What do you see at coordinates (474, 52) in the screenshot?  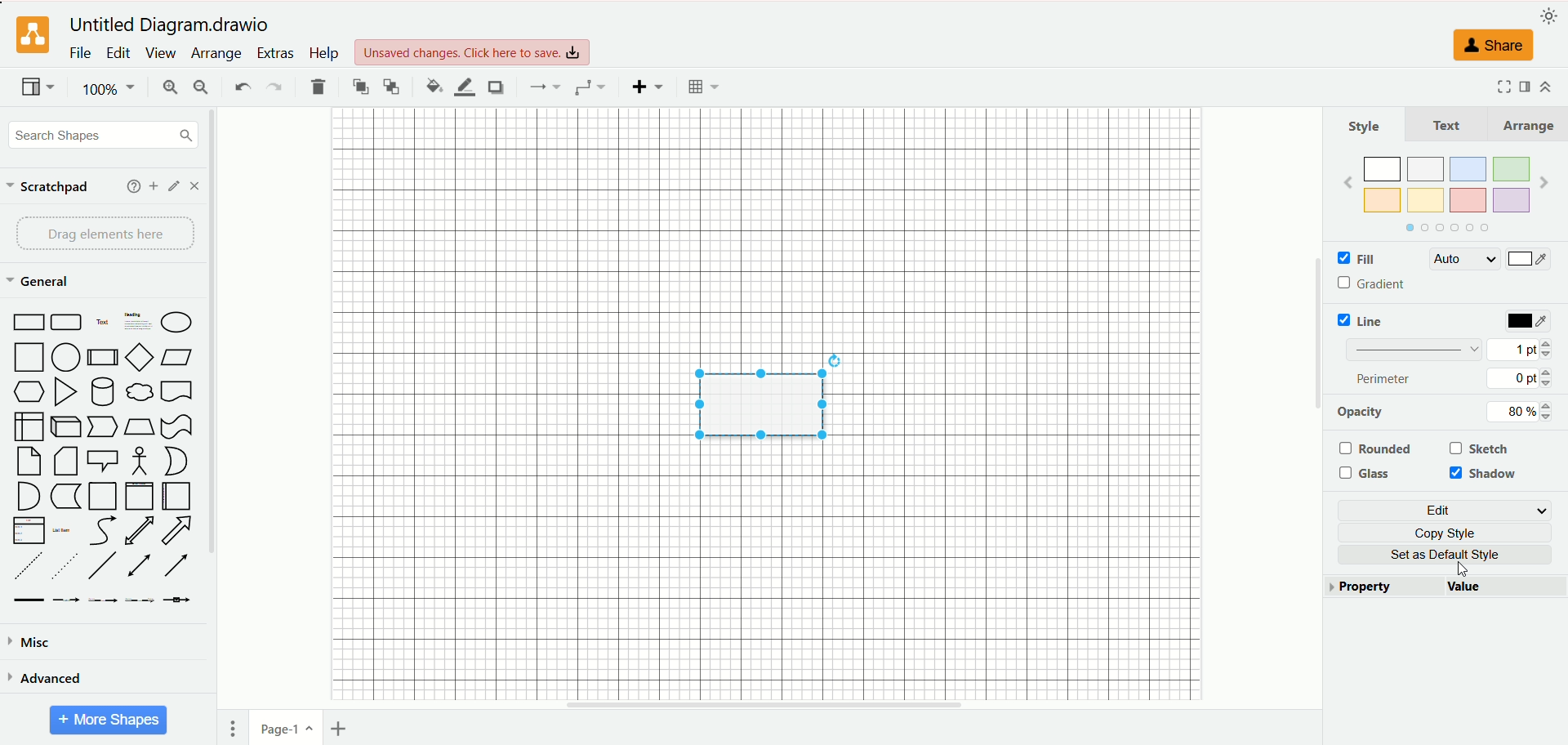 I see `click here to save` at bounding box center [474, 52].